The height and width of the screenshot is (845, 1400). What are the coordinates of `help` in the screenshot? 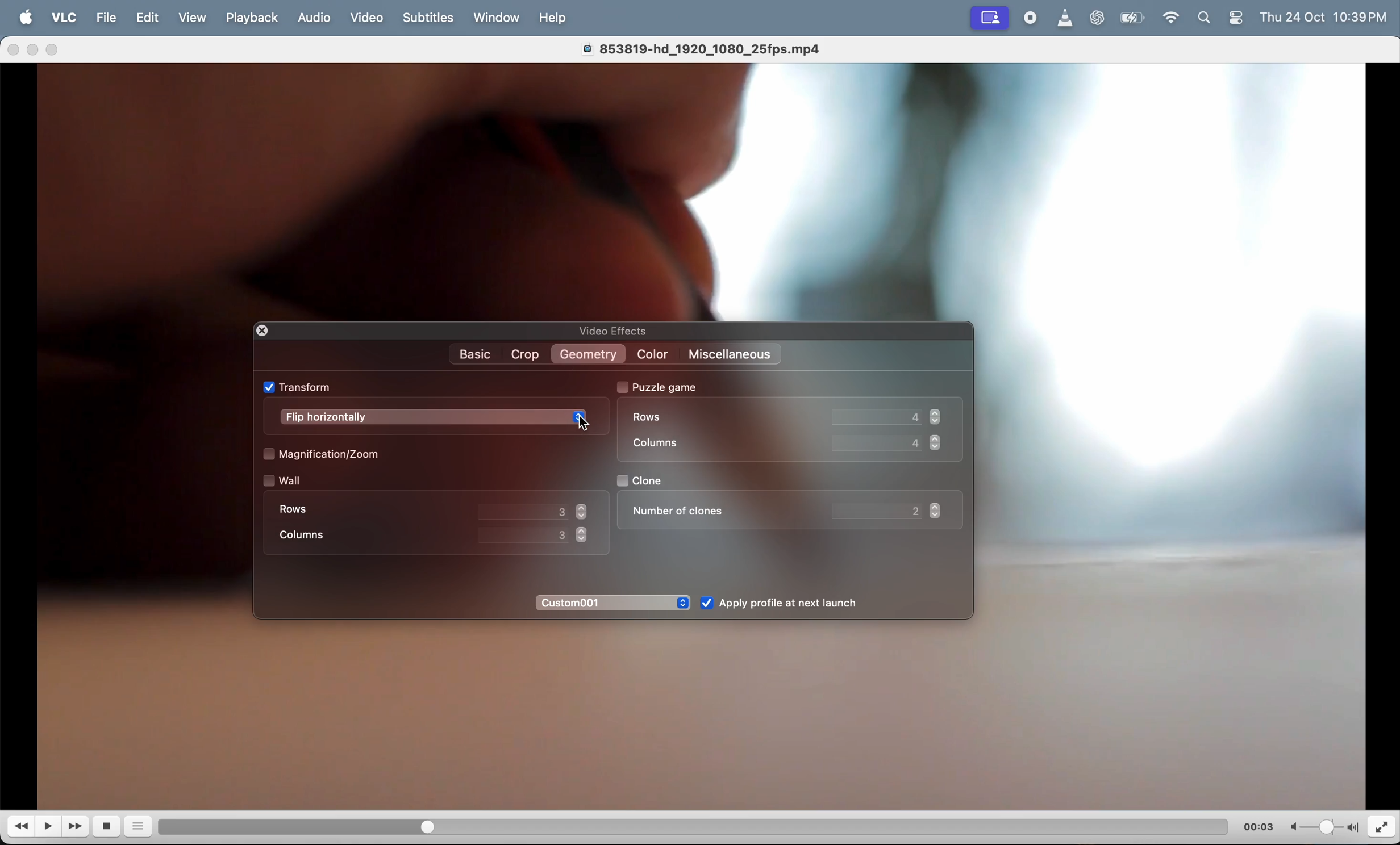 It's located at (556, 19).